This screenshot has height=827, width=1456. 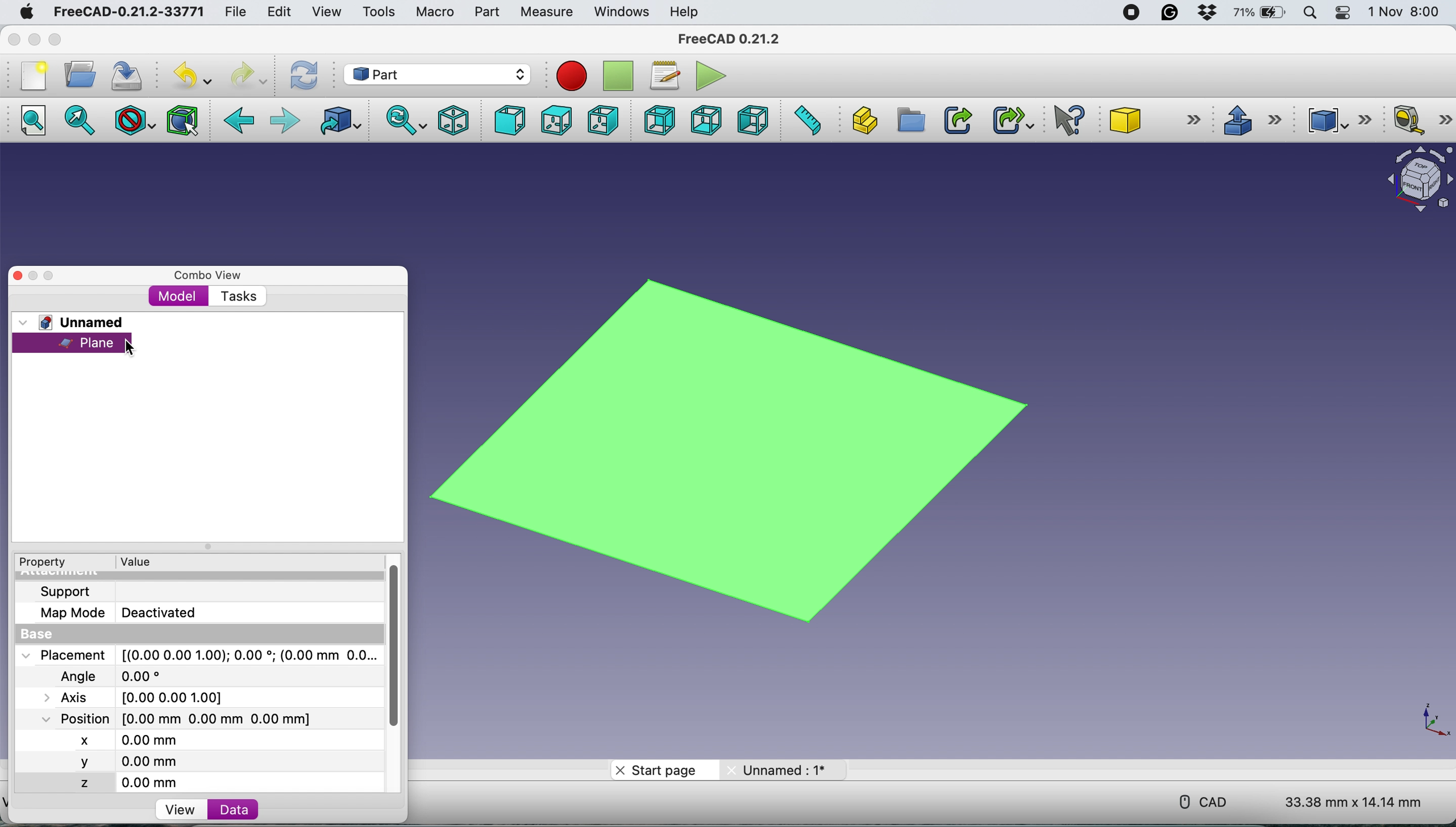 What do you see at coordinates (142, 562) in the screenshot?
I see `value` at bounding box center [142, 562].